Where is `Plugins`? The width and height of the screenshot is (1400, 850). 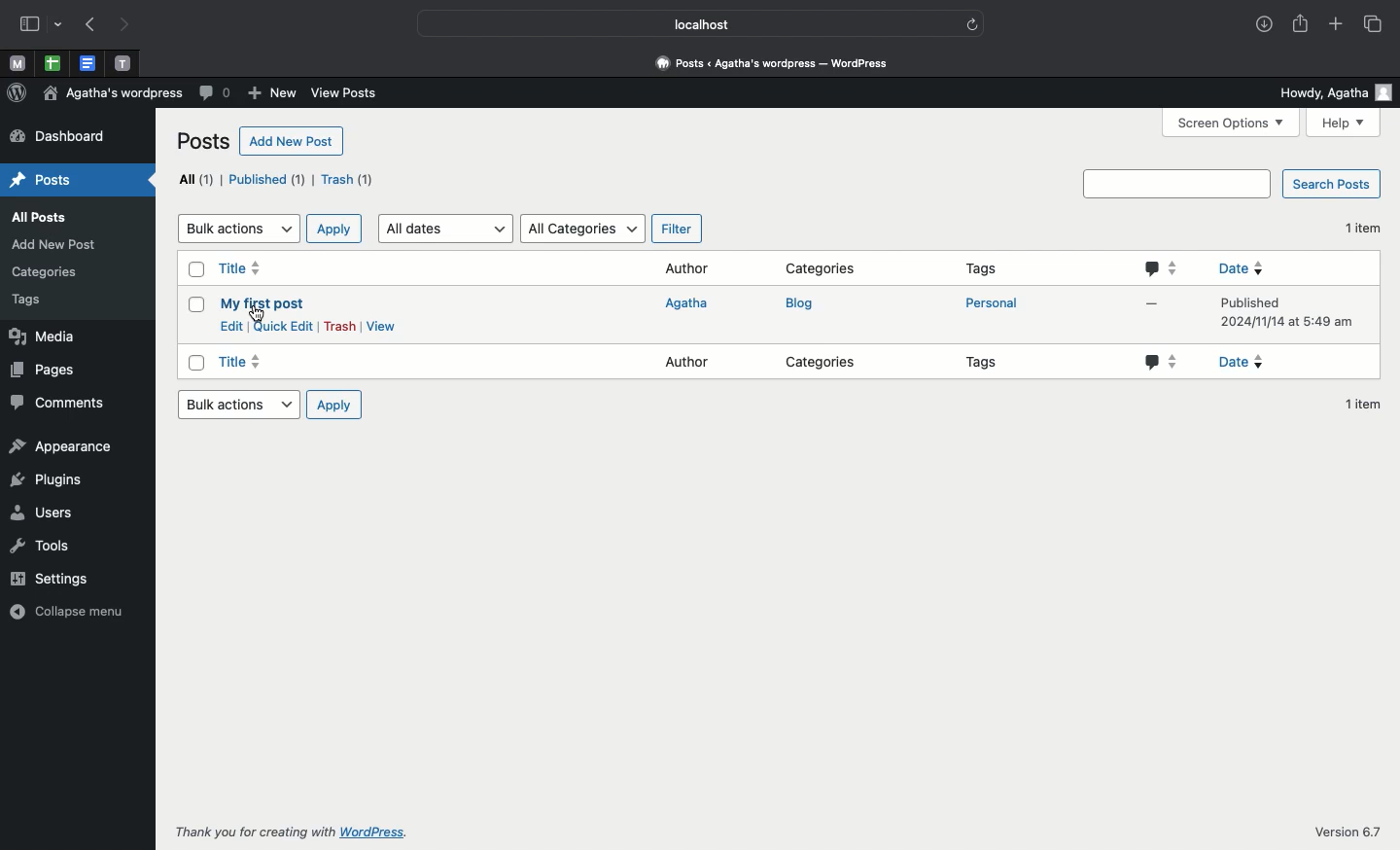 Plugins is located at coordinates (47, 480).